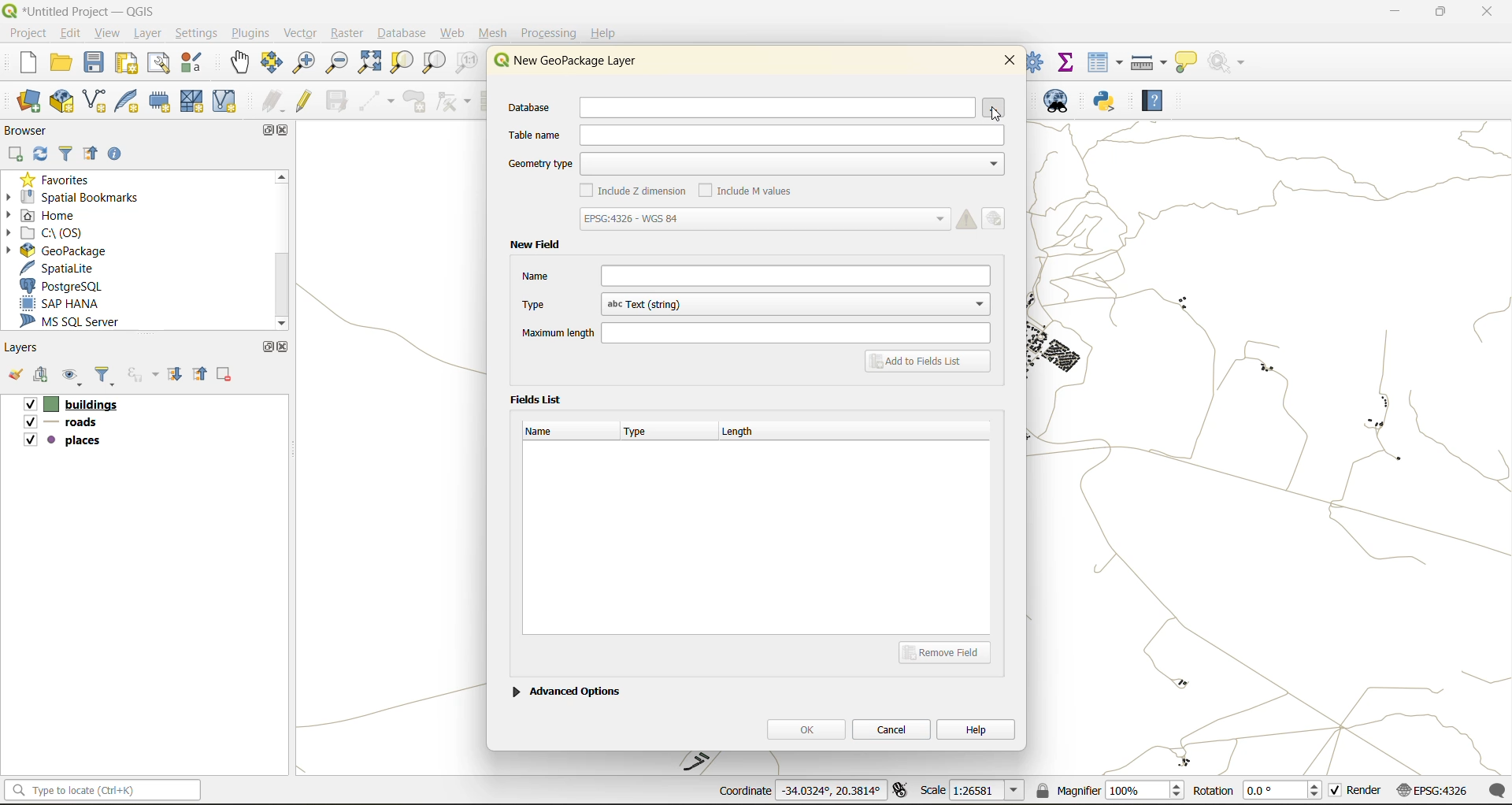 The height and width of the screenshot is (805, 1512). Describe the element at coordinates (973, 790) in the screenshot. I see `scale(1:26581)` at that location.